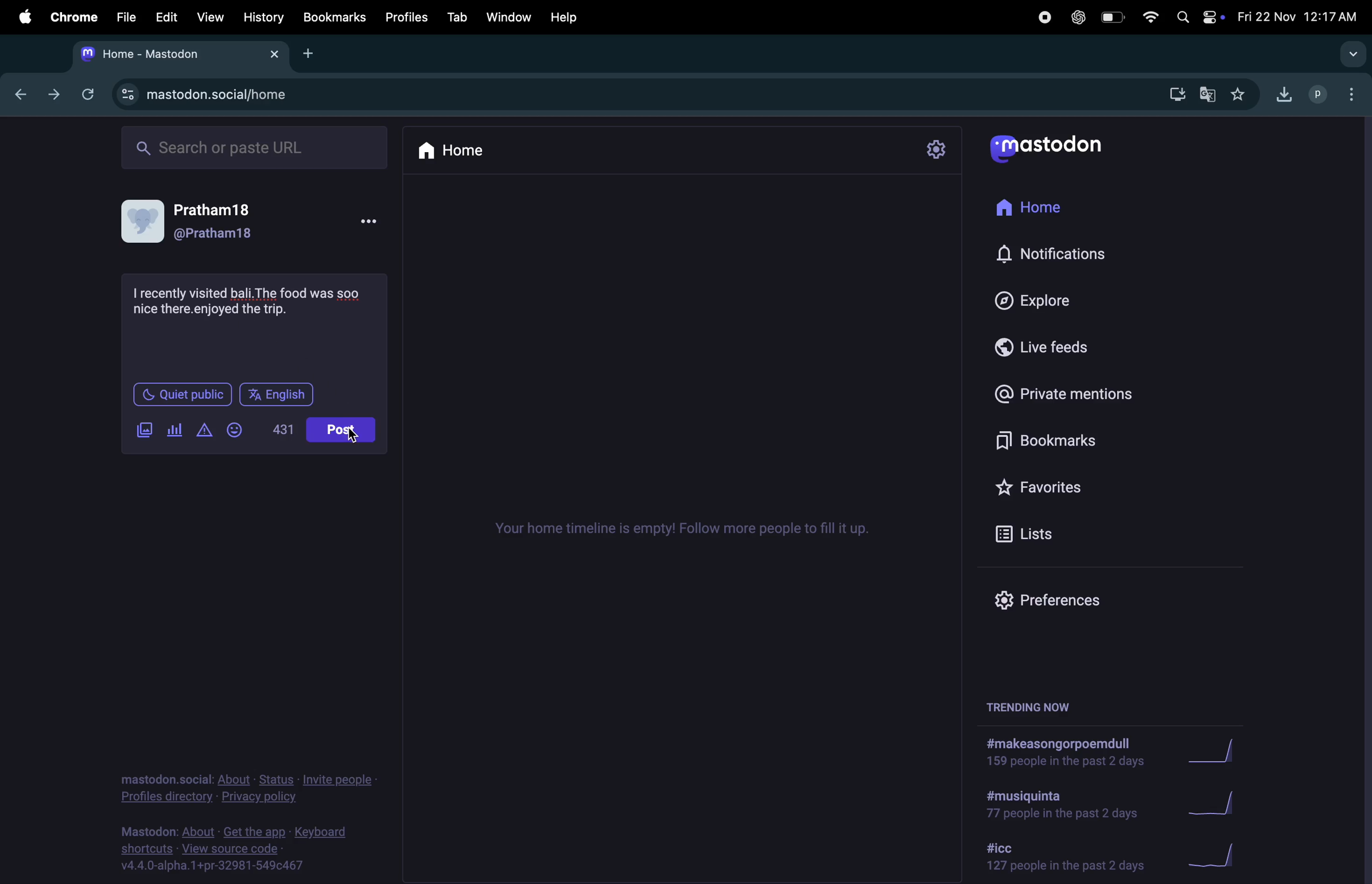  What do you see at coordinates (278, 396) in the screenshot?
I see `english` at bounding box center [278, 396].